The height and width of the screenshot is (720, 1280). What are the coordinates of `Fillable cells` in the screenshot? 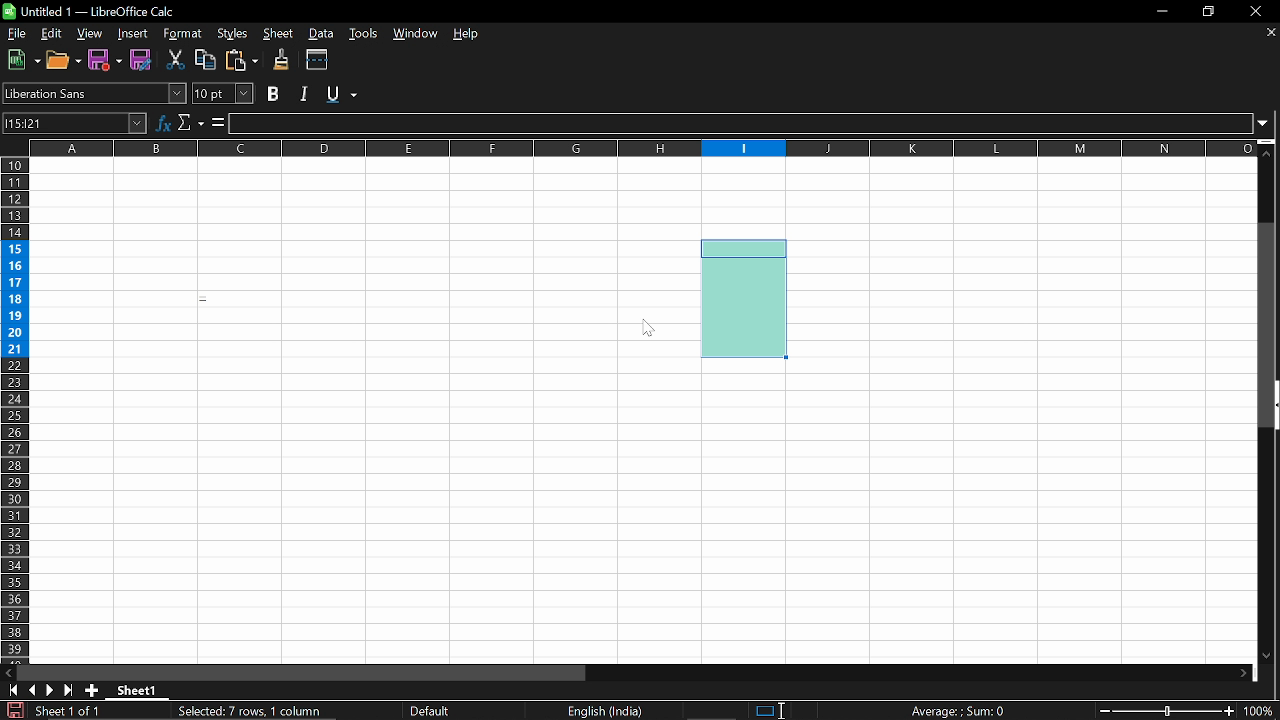 It's located at (364, 411).